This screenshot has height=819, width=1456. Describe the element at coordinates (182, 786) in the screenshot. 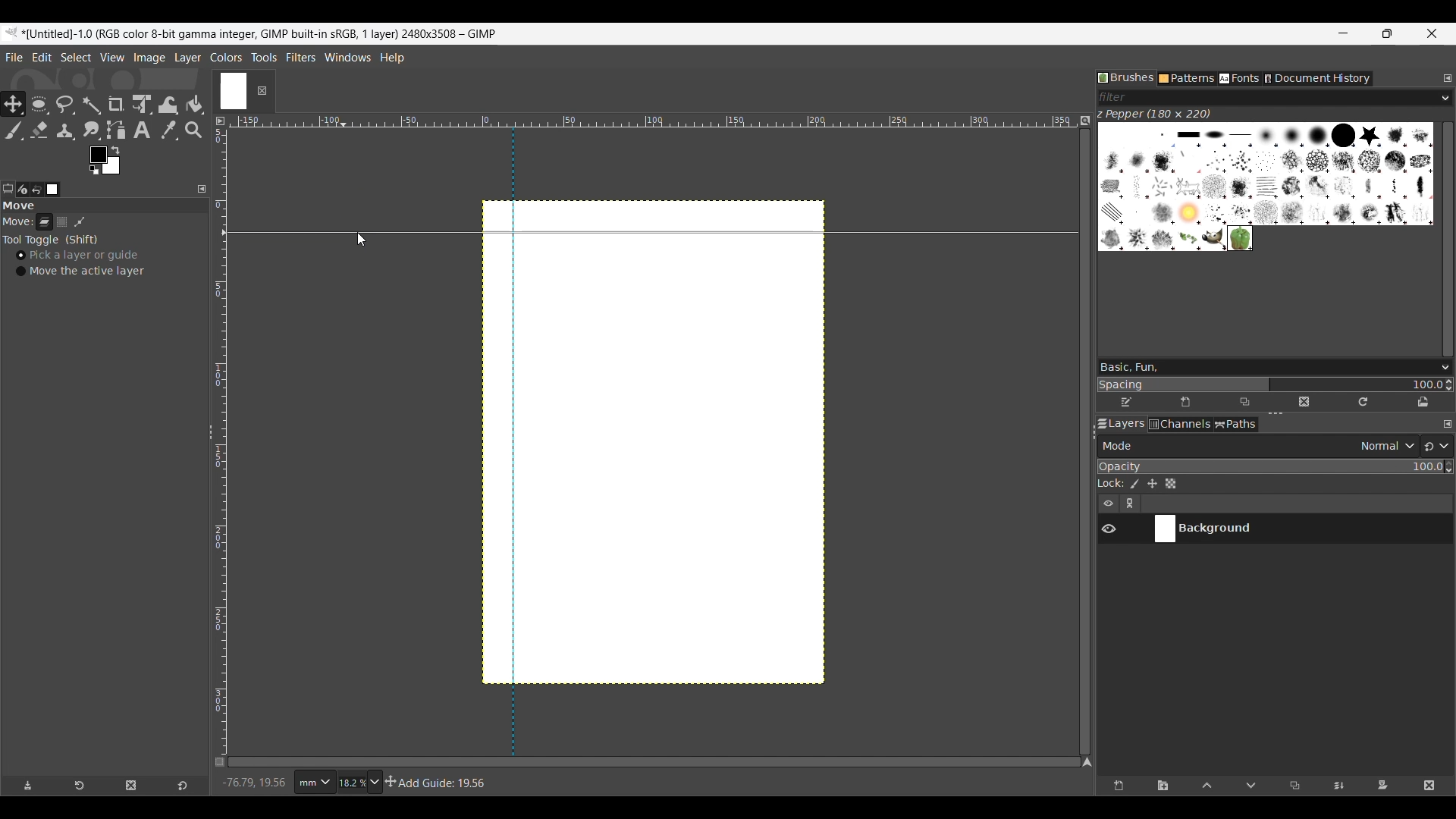

I see `Reset to default values` at that location.